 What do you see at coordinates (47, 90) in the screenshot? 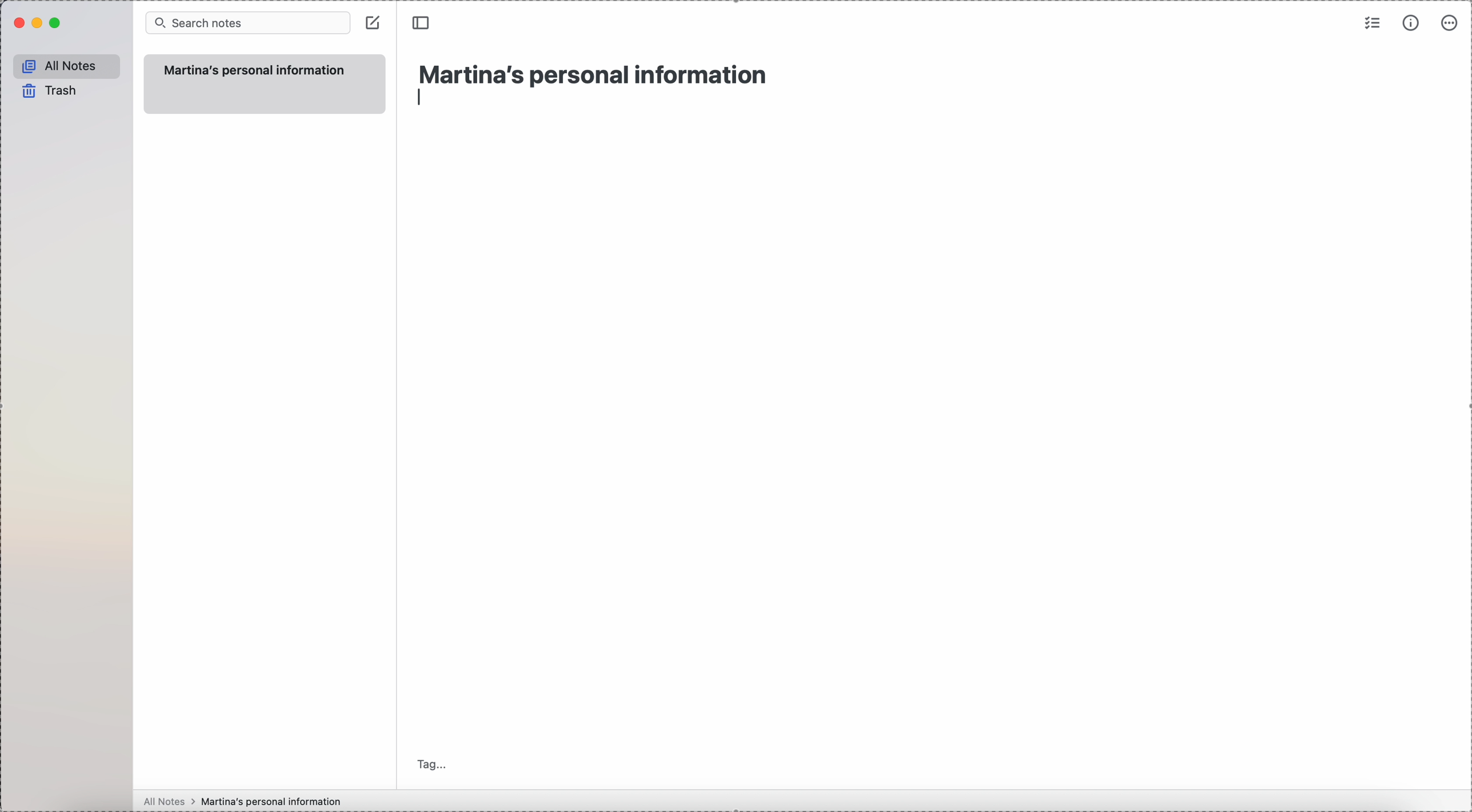
I see `trash` at bounding box center [47, 90].